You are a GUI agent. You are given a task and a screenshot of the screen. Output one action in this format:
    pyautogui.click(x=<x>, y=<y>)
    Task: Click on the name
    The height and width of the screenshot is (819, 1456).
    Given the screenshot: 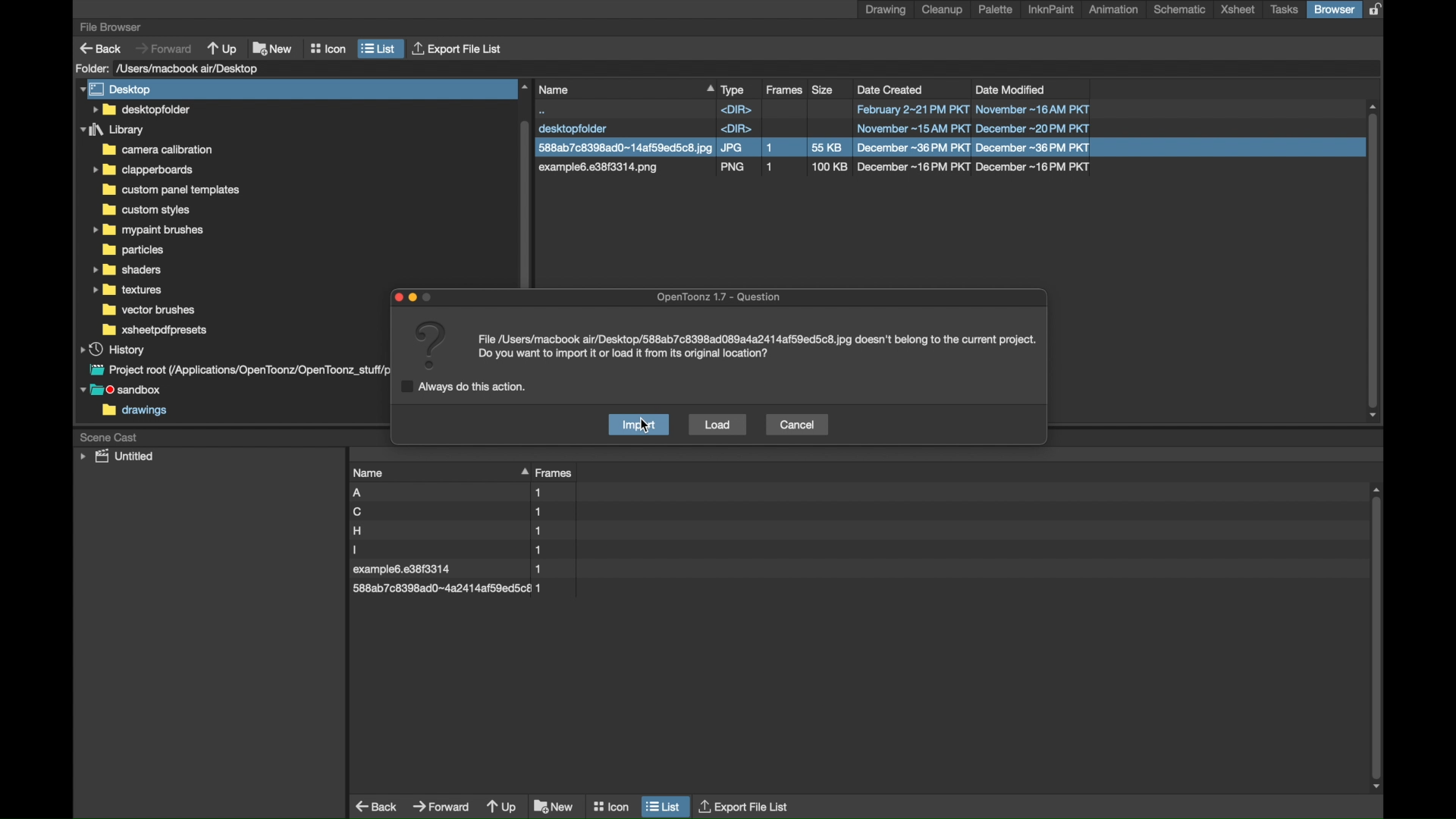 What is the action you would take?
    pyautogui.click(x=625, y=89)
    